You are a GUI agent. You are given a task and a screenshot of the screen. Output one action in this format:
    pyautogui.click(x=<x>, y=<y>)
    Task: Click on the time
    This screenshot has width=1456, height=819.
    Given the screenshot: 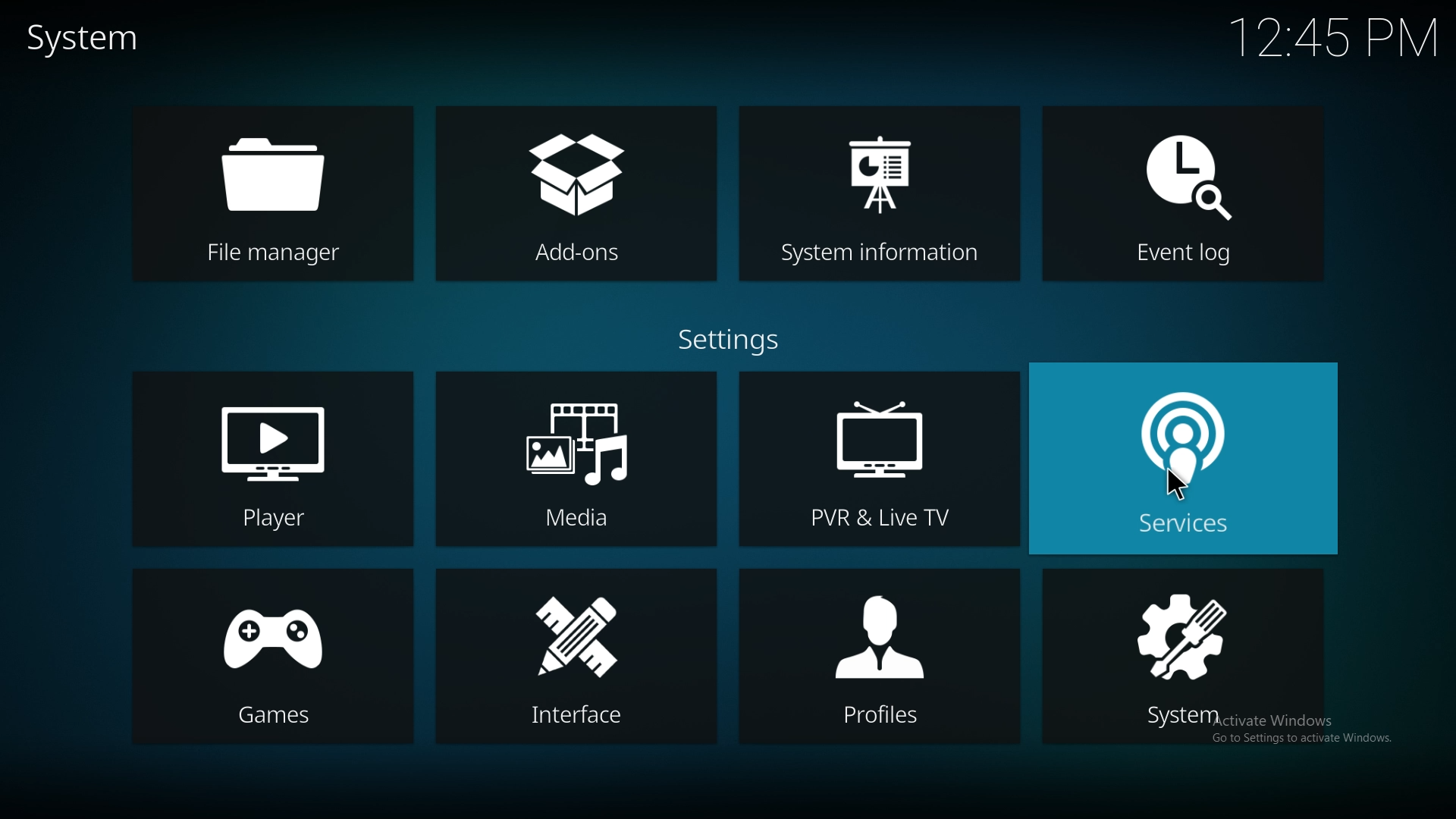 What is the action you would take?
    pyautogui.click(x=1337, y=34)
    